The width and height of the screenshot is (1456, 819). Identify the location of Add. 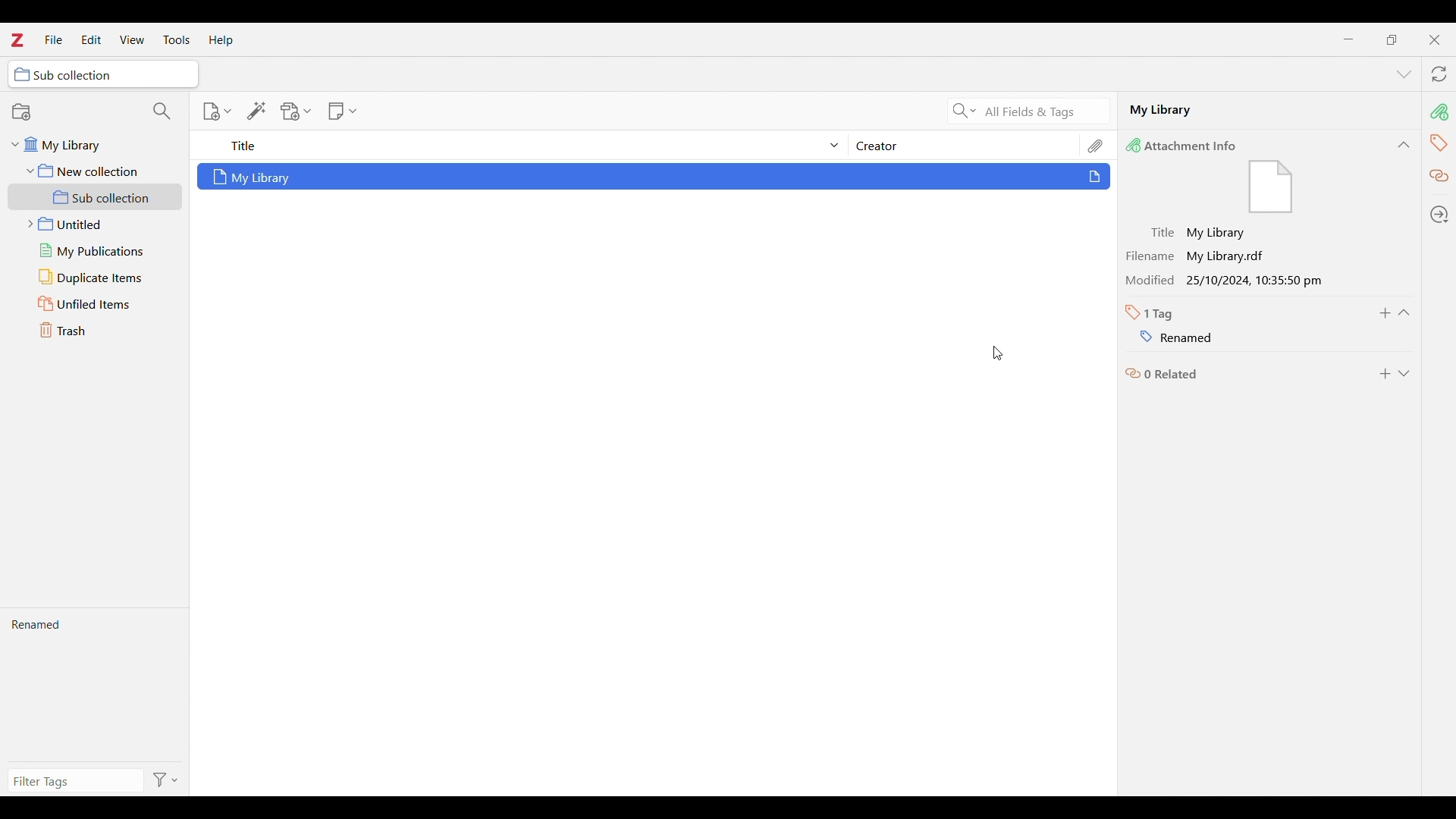
(1386, 313).